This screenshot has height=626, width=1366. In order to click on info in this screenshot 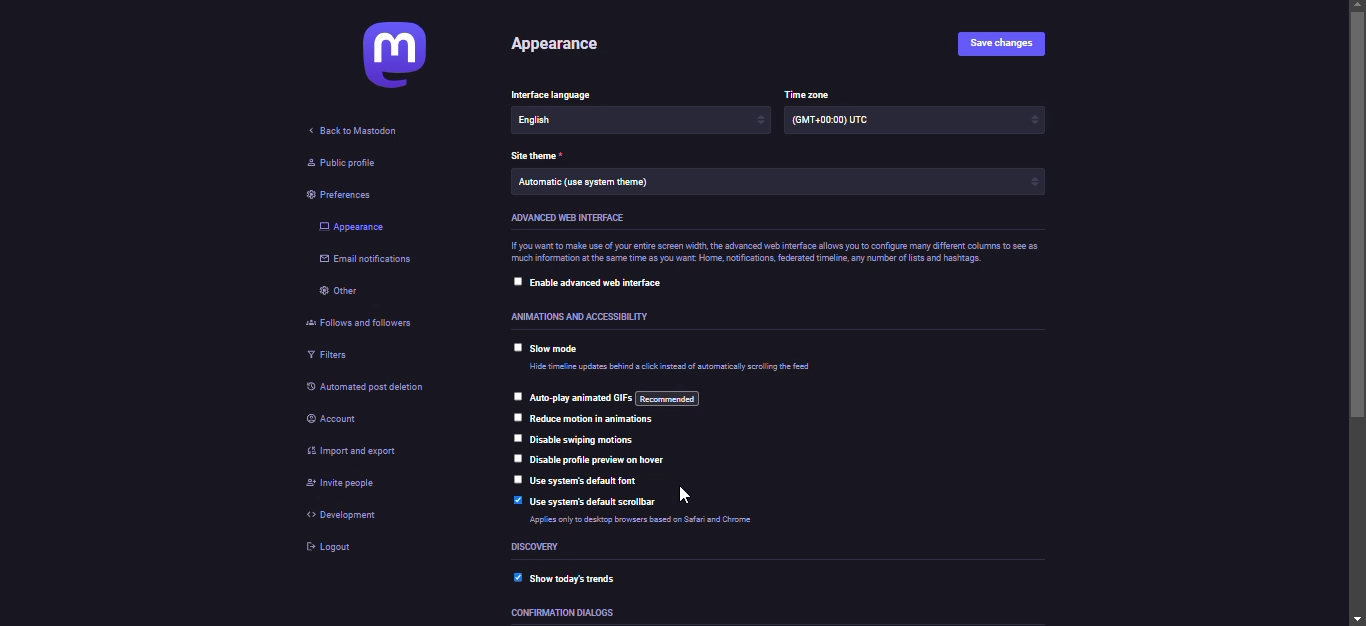, I will do `click(674, 369)`.